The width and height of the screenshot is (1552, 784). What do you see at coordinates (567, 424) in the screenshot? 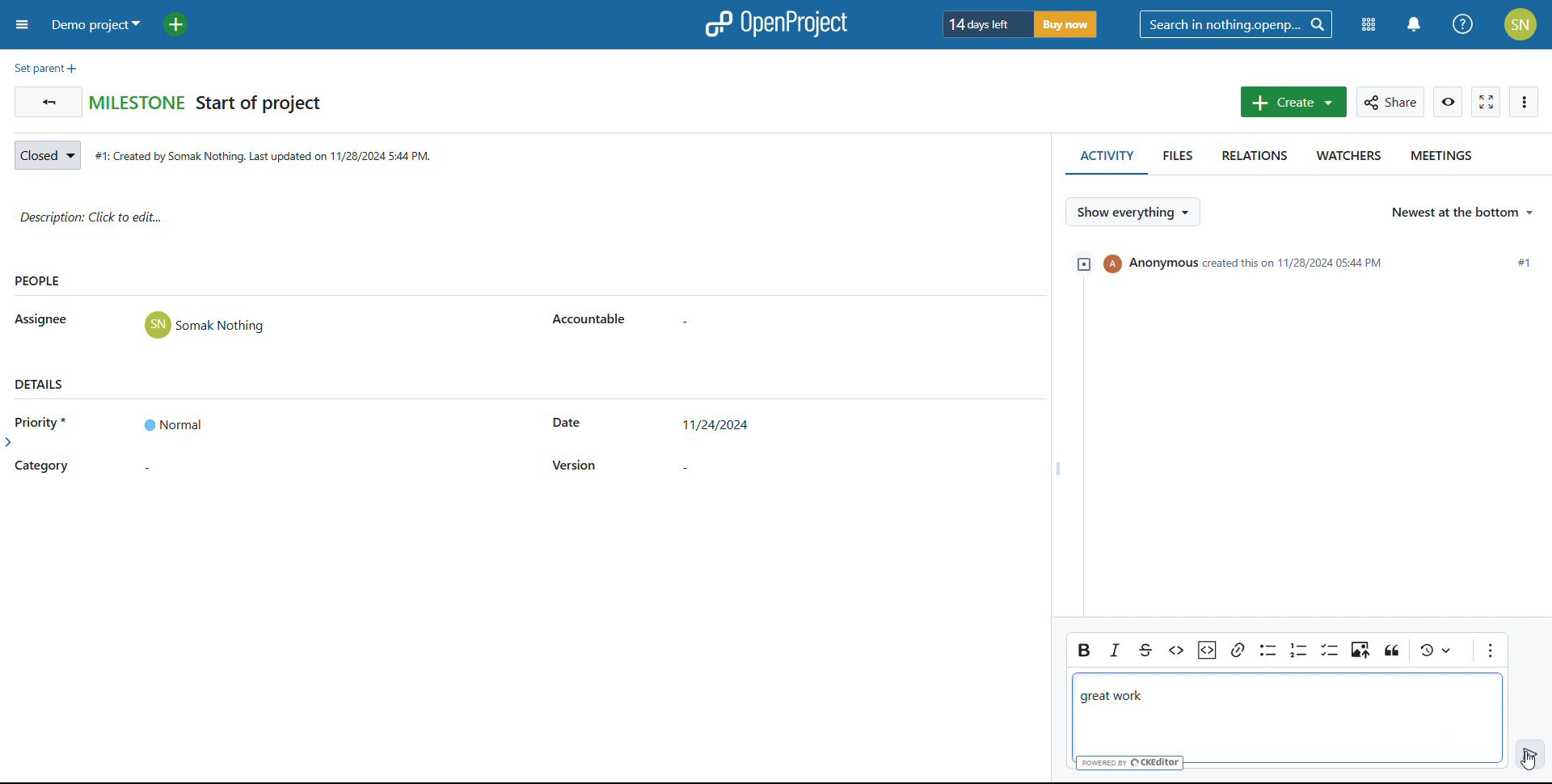
I see `start date` at bounding box center [567, 424].